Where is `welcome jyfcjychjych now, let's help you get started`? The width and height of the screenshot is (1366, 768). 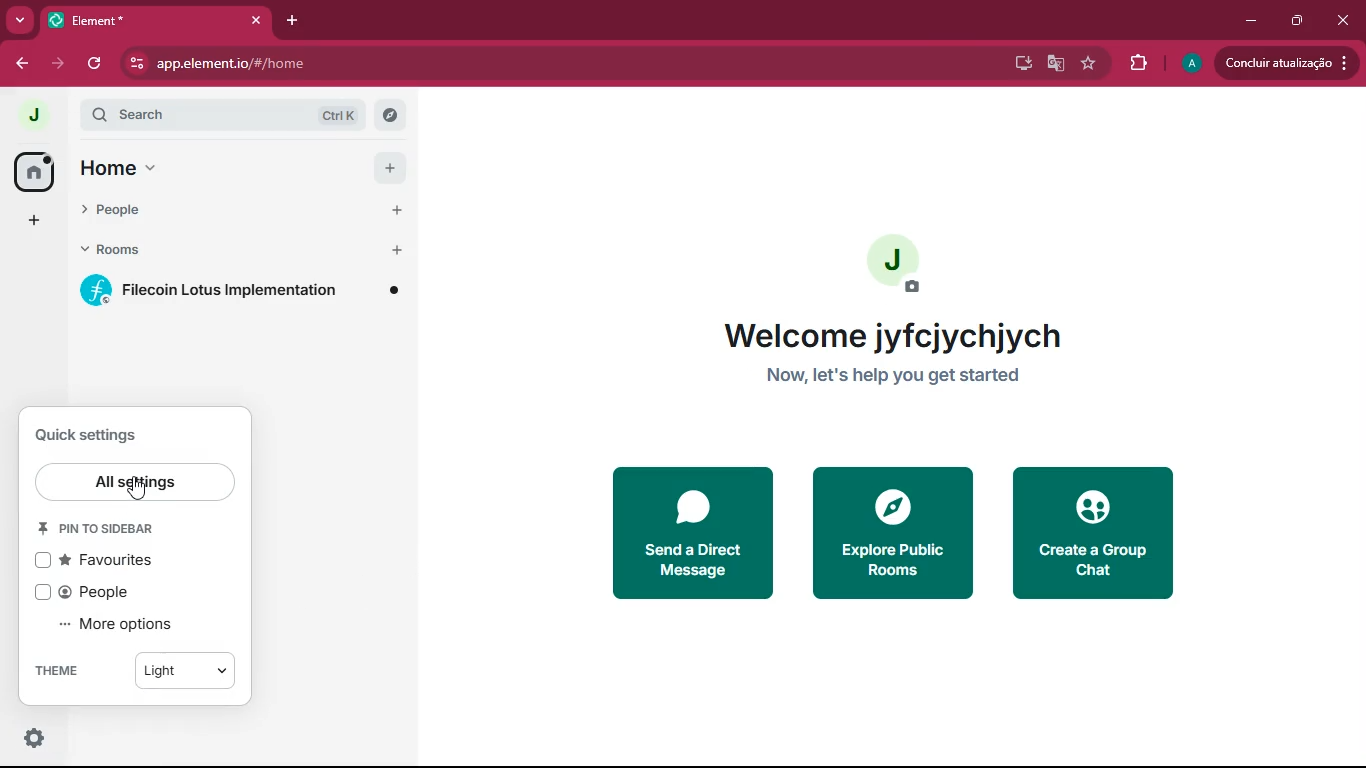 welcome jyfcjychjych now, let's help you get started is located at coordinates (890, 358).